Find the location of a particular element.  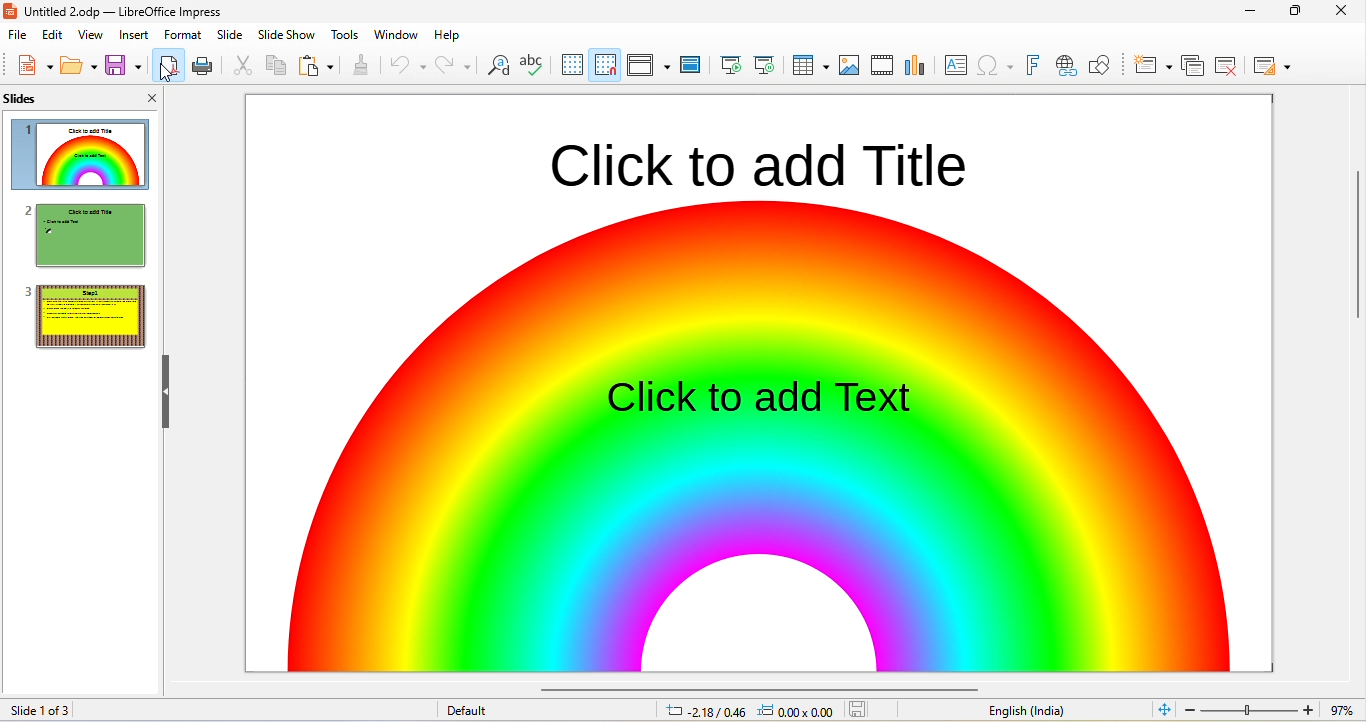

cursor is located at coordinates (168, 74).